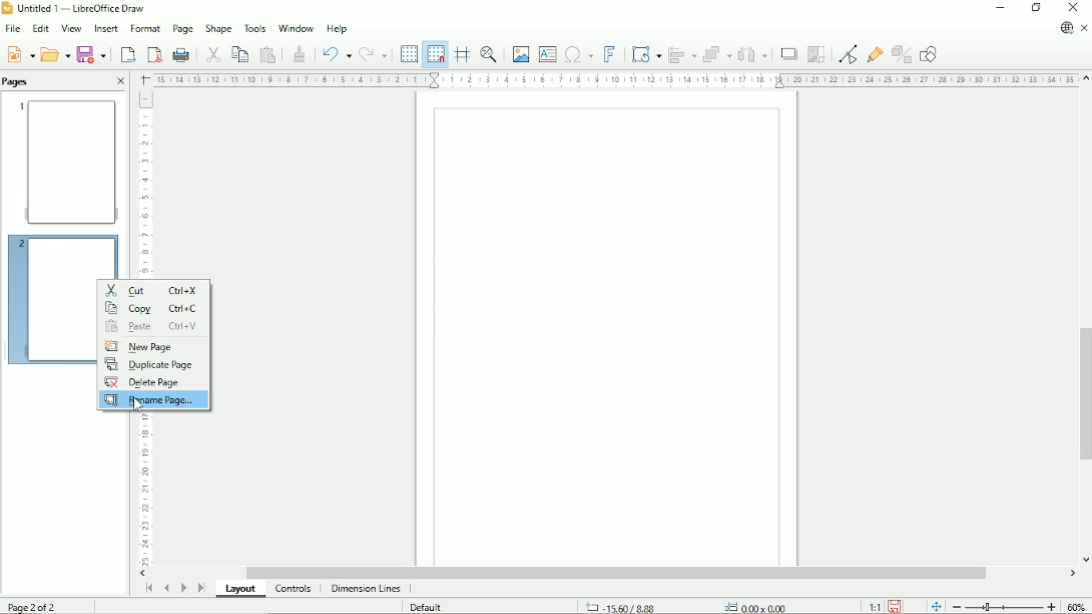  I want to click on Export directly as PDF, so click(154, 55).